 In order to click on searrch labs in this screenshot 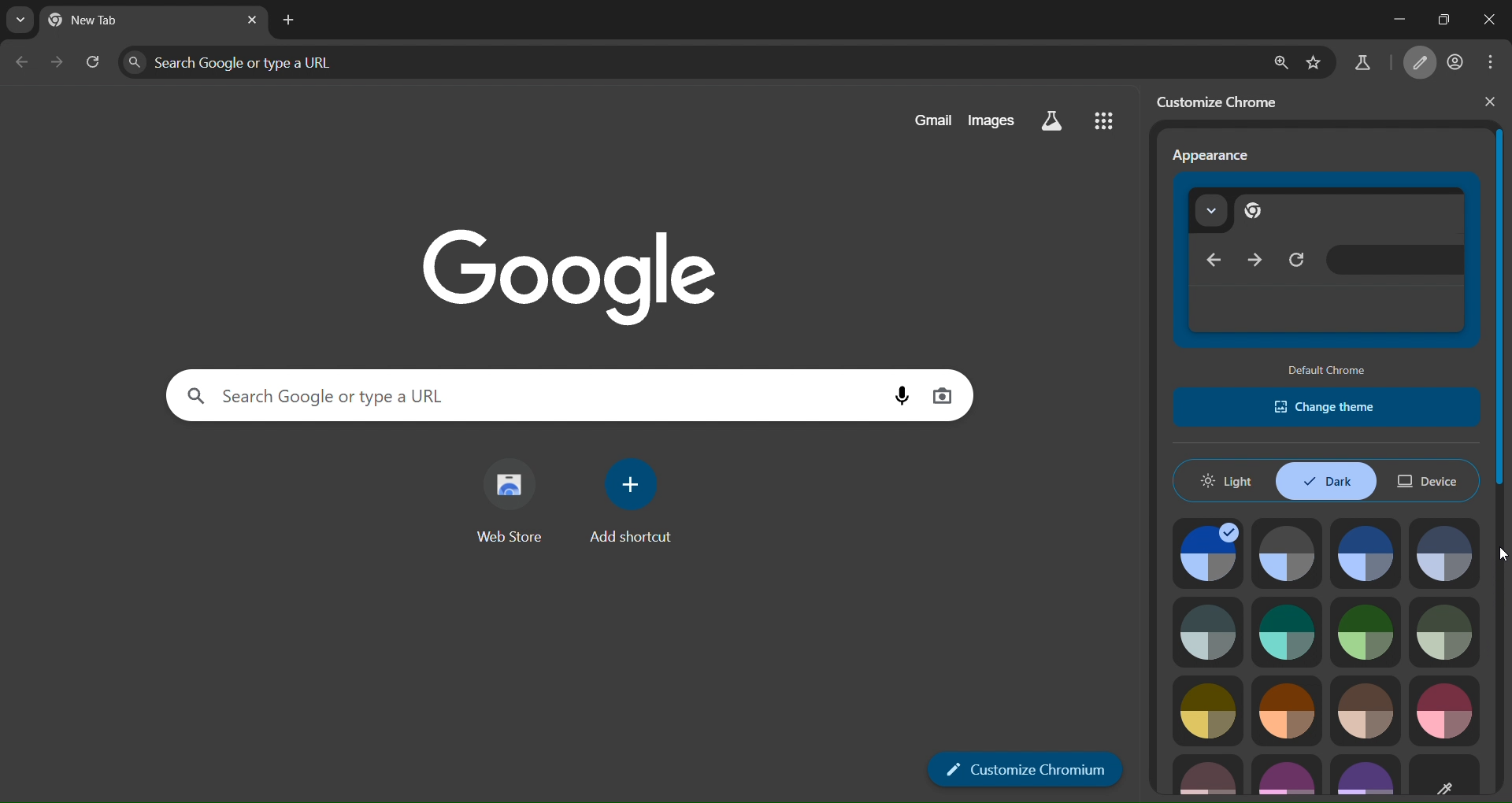, I will do `click(1052, 121)`.